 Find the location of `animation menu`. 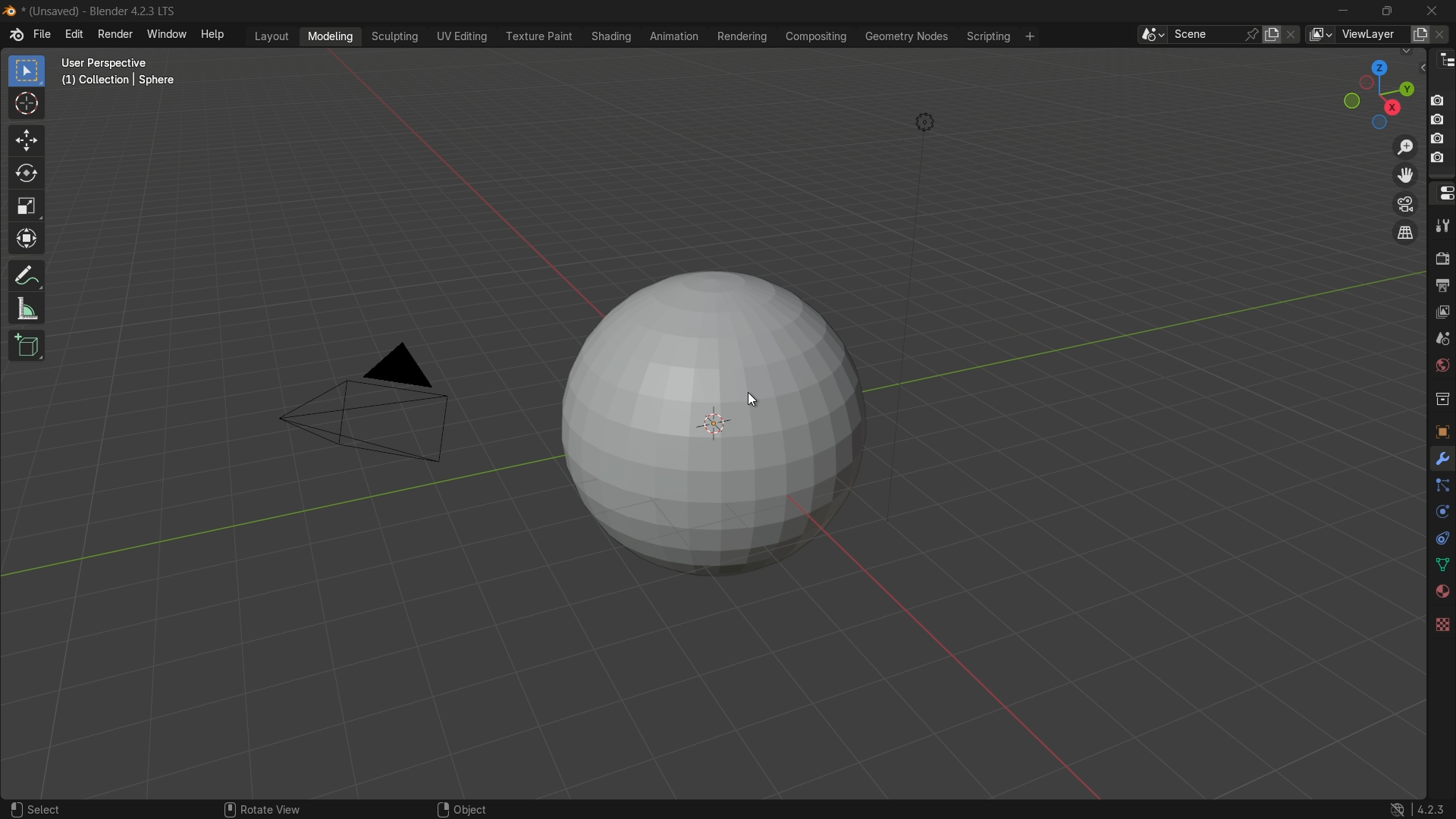

animation menu is located at coordinates (672, 36).